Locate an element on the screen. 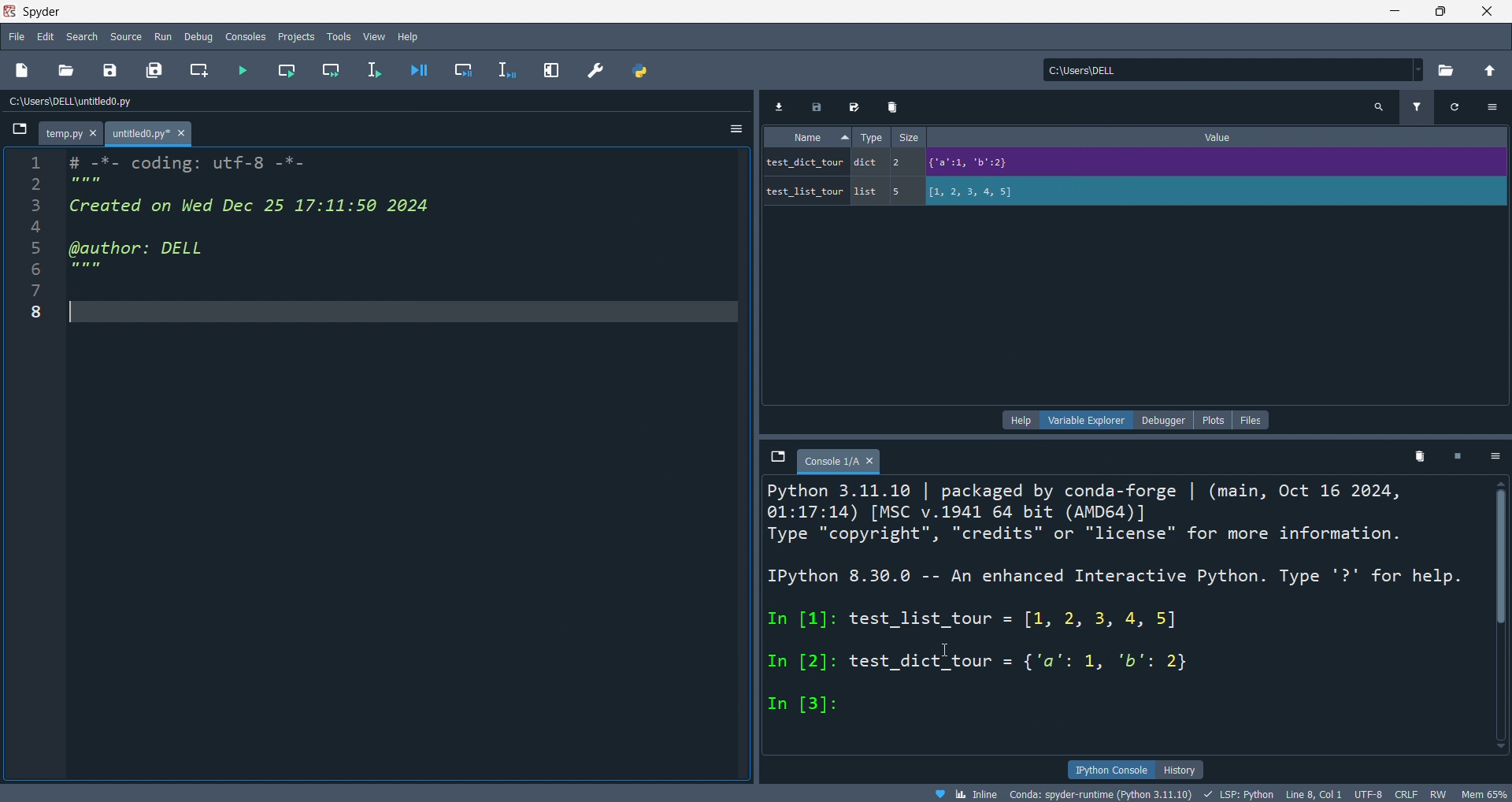 The height and width of the screenshot is (802, 1512). select directory is located at coordinates (1446, 70).